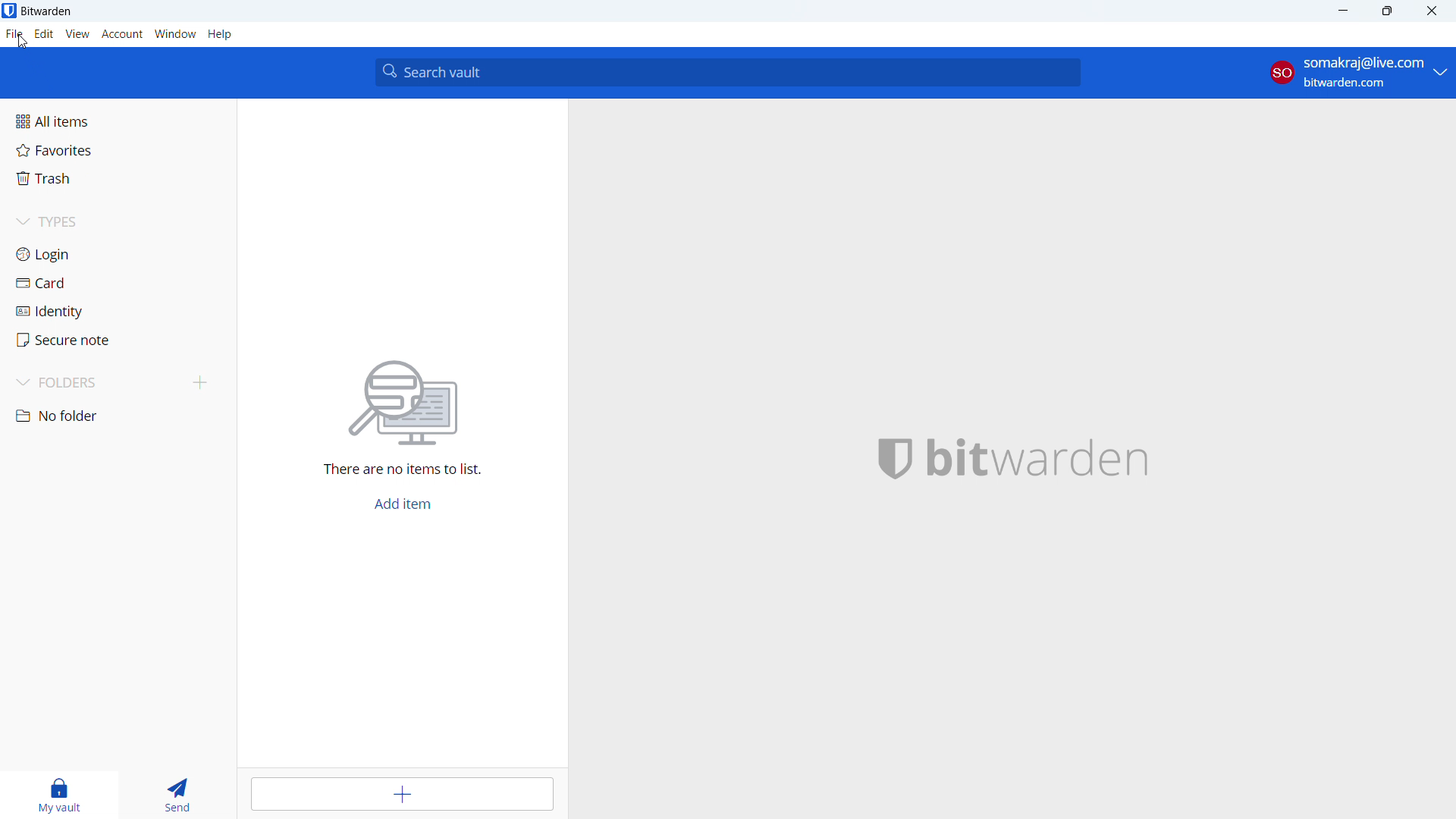 Image resolution: width=1456 pixels, height=819 pixels. I want to click on bitwarden logo, so click(889, 457).